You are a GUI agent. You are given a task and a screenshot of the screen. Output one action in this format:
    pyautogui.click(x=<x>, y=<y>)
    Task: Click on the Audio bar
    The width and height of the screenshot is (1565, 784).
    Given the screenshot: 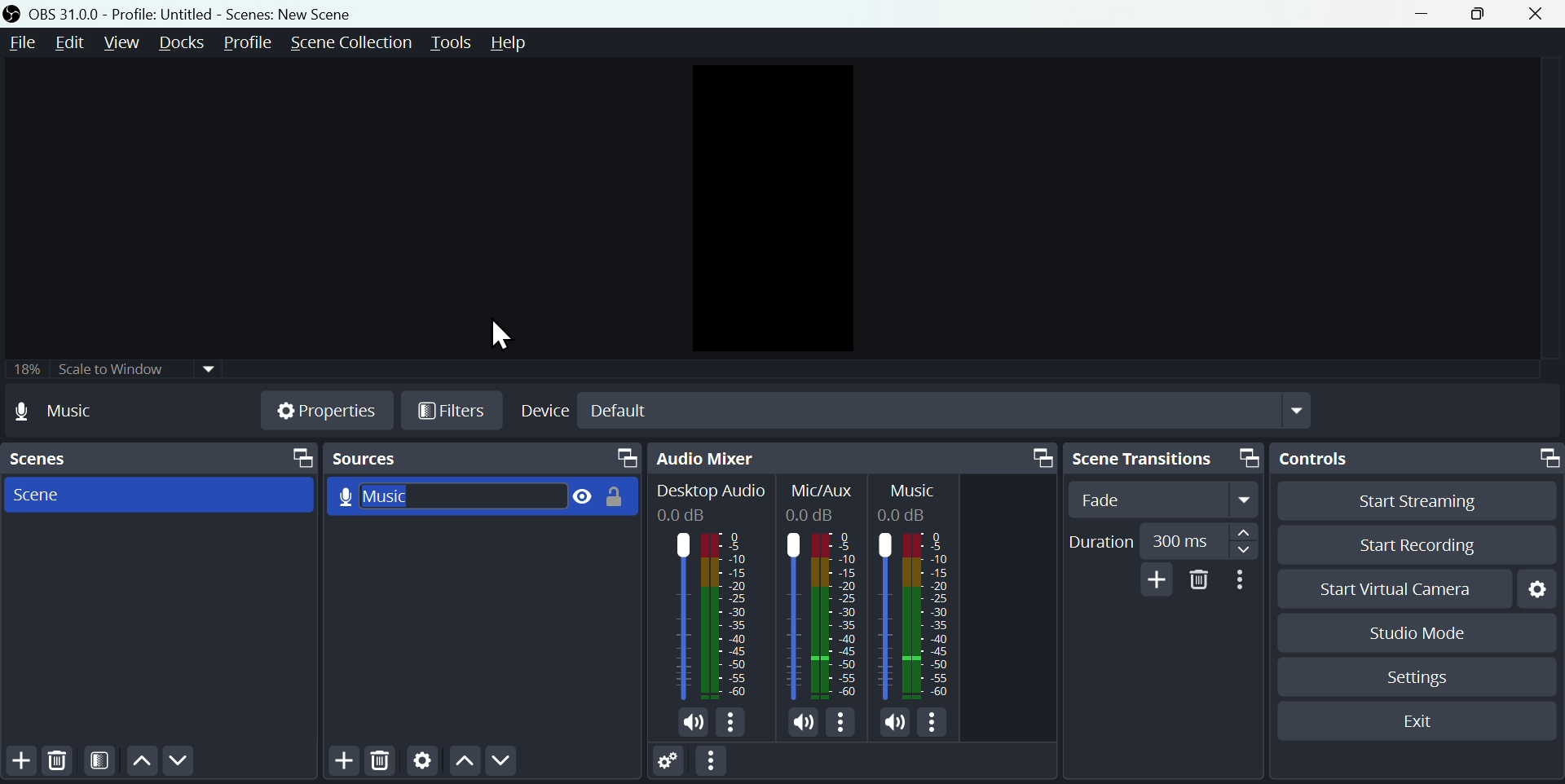 What is the action you would take?
    pyautogui.click(x=708, y=615)
    